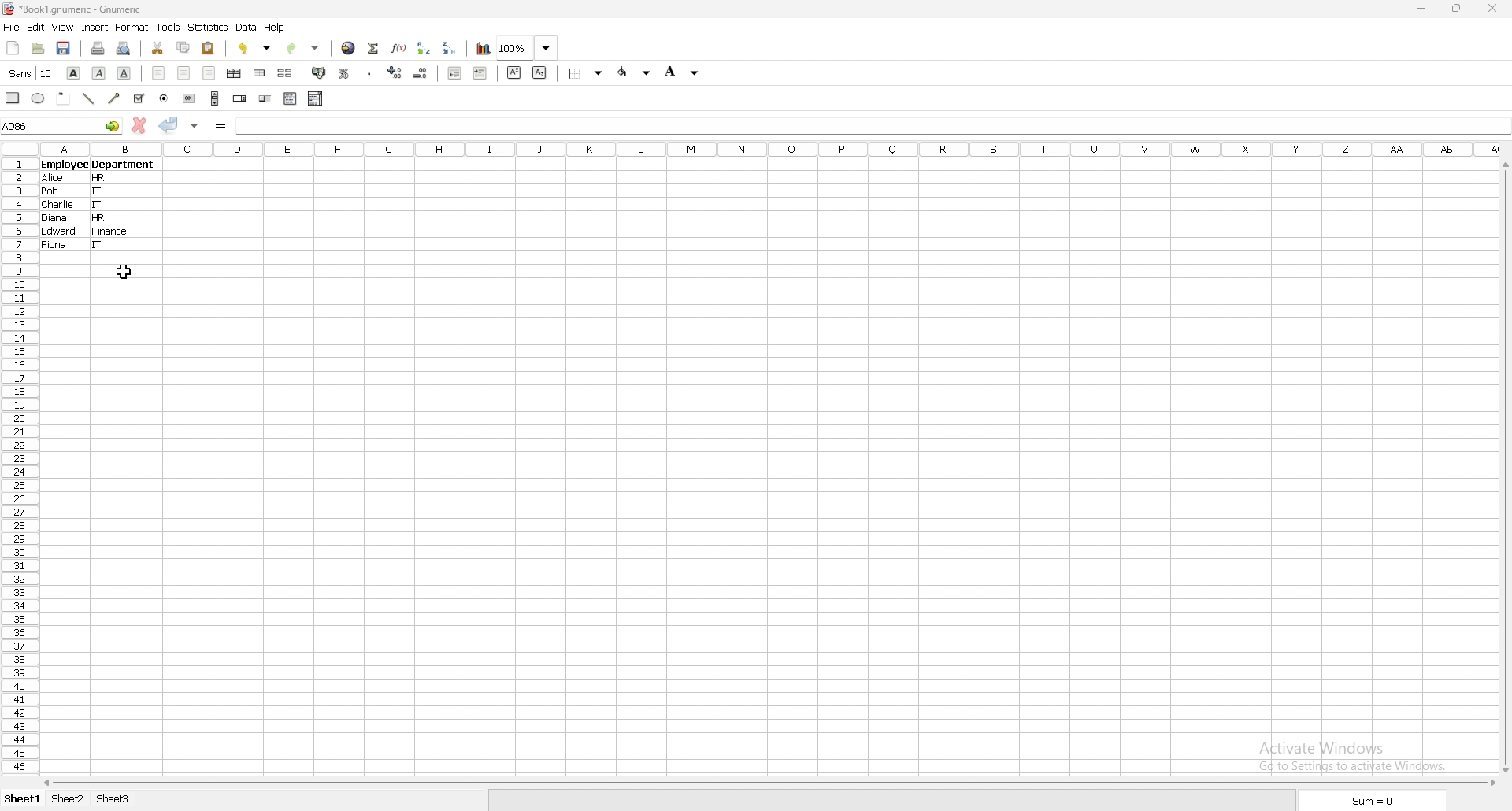 Image resolution: width=1512 pixels, height=811 pixels. What do you see at coordinates (220, 125) in the screenshot?
I see `formula` at bounding box center [220, 125].